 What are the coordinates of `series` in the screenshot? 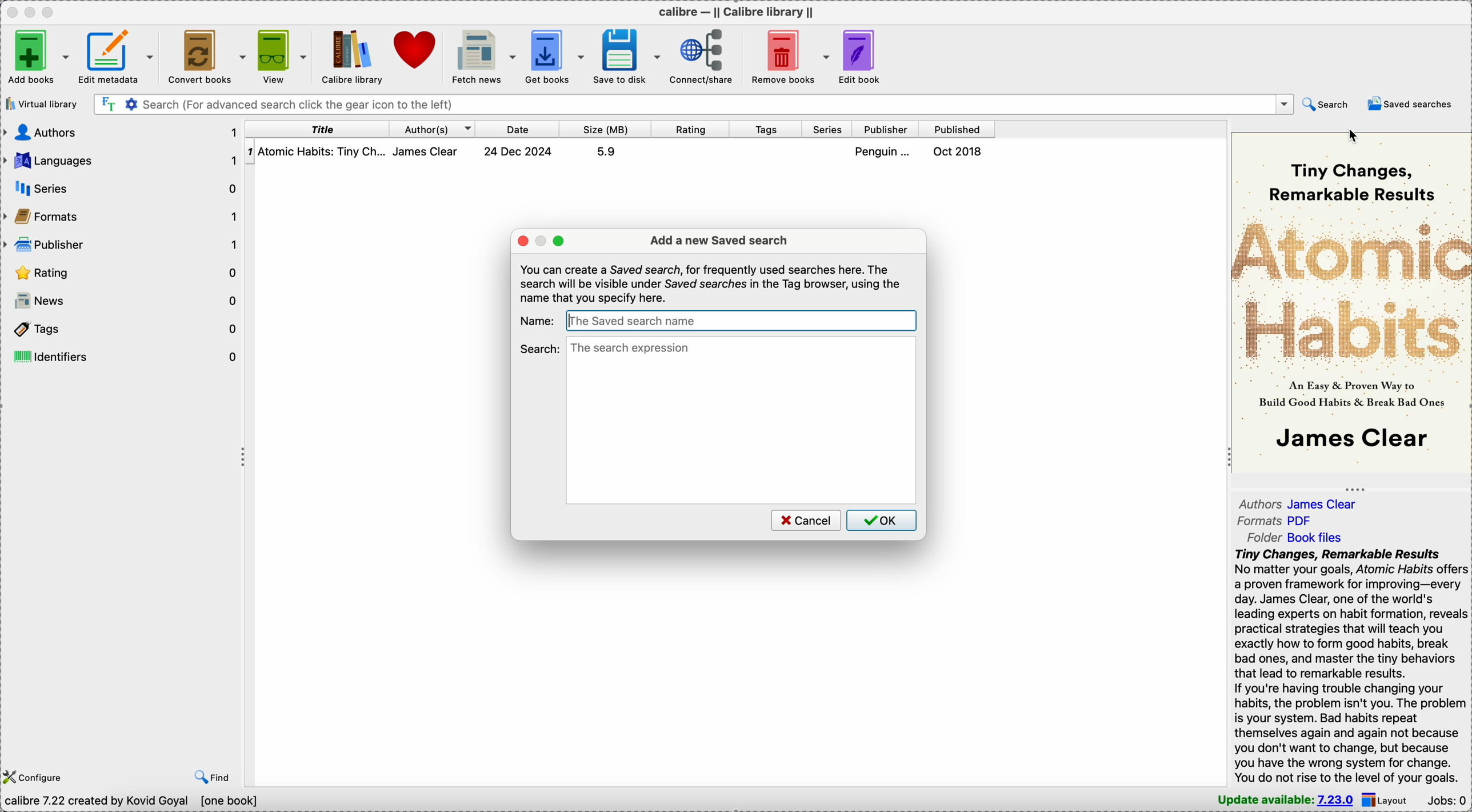 It's located at (828, 130).